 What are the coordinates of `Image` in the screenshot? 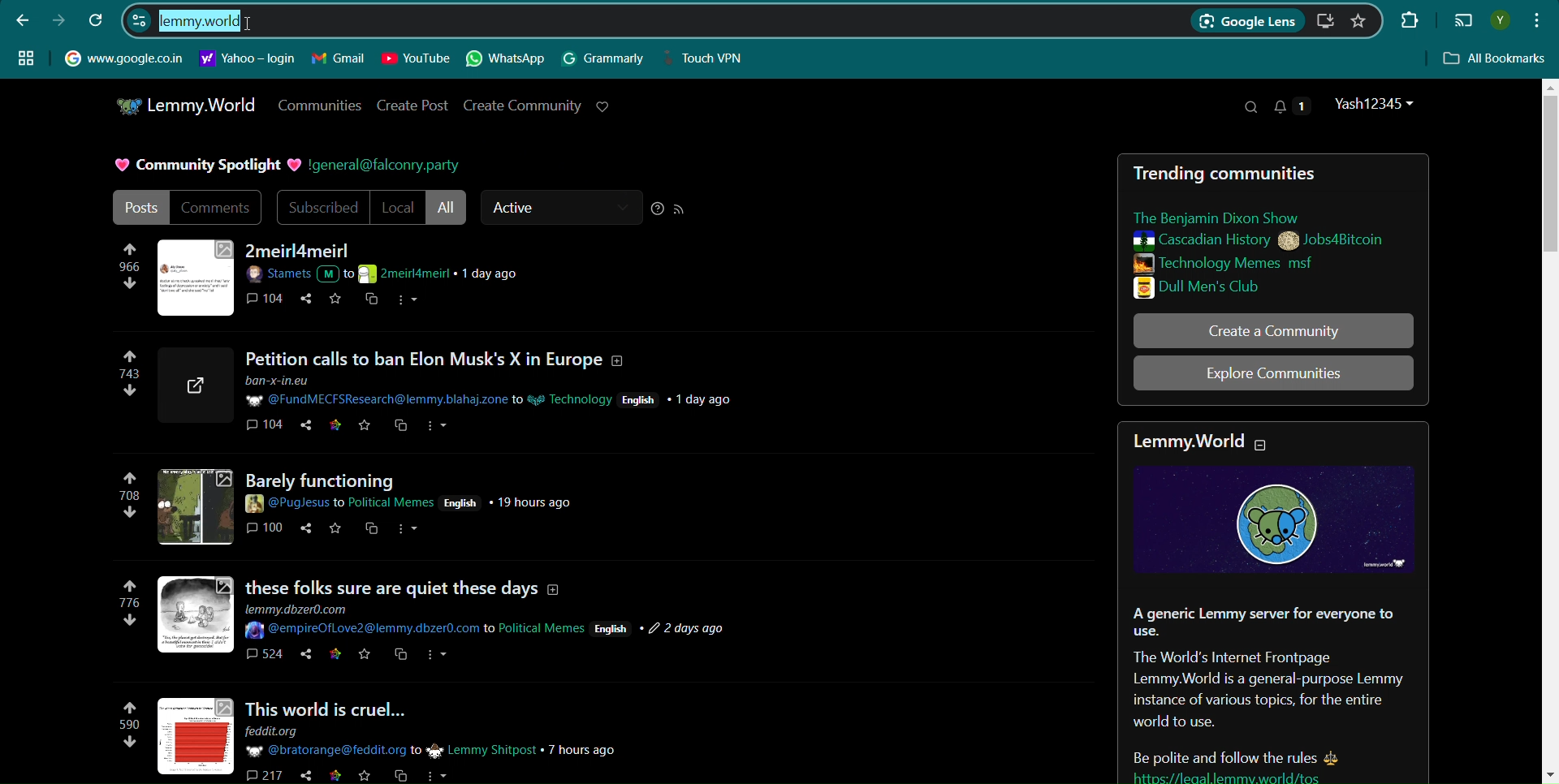 It's located at (1274, 519).